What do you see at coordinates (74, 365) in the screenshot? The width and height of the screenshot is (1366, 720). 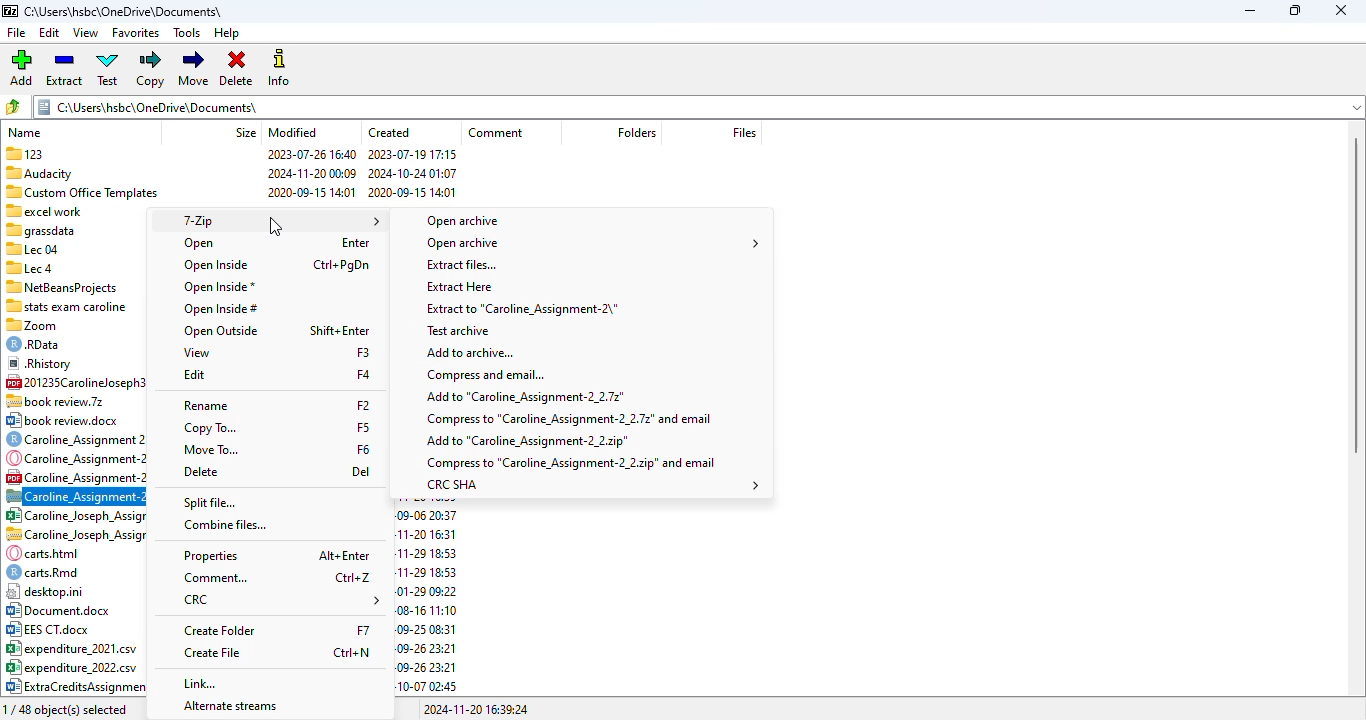 I see `.Rhistory 92456 2024-02-28 00:24 2022-11-26 17:25` at bounding box center [74, 365].